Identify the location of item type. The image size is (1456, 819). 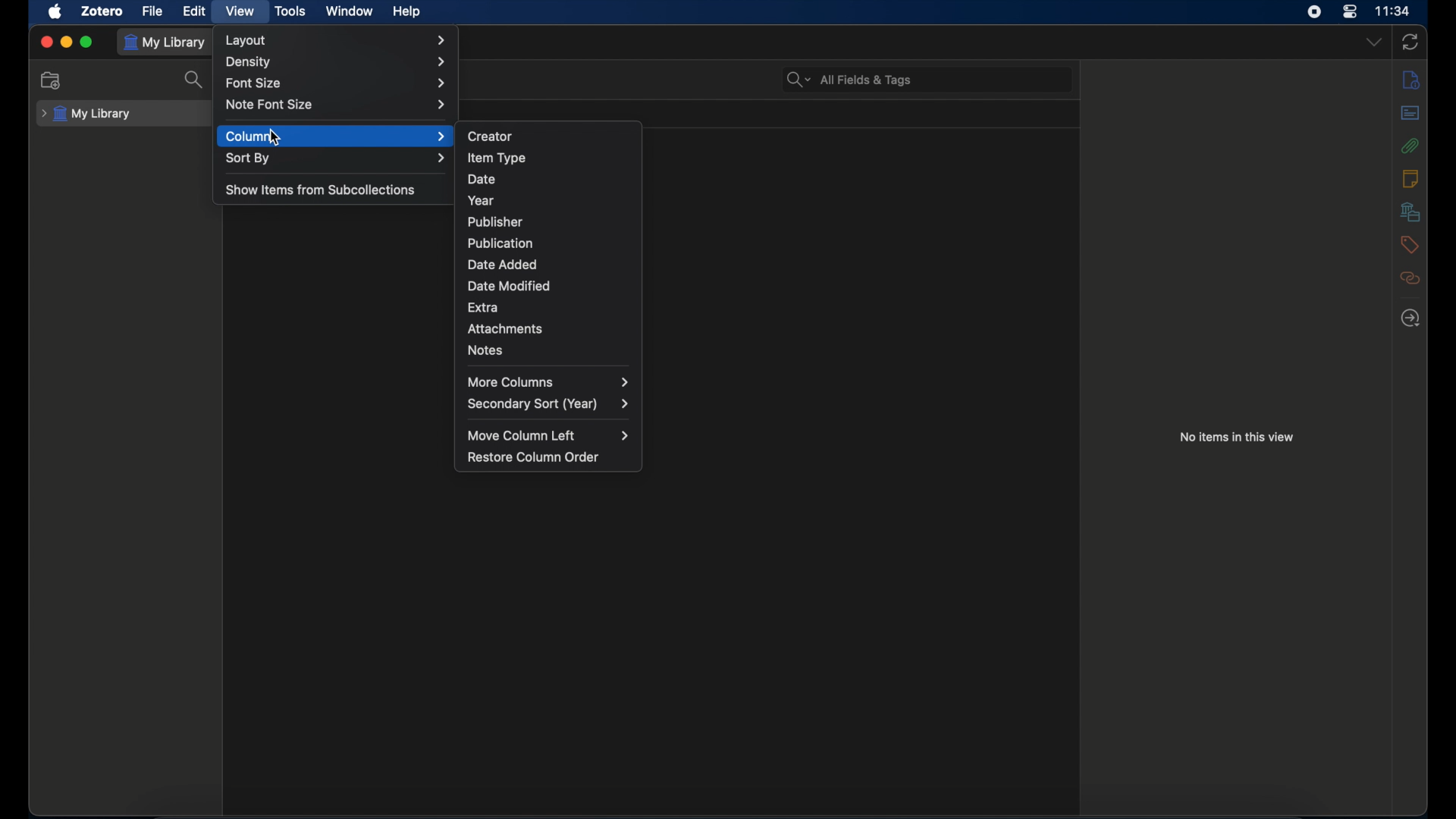
(497, 158).